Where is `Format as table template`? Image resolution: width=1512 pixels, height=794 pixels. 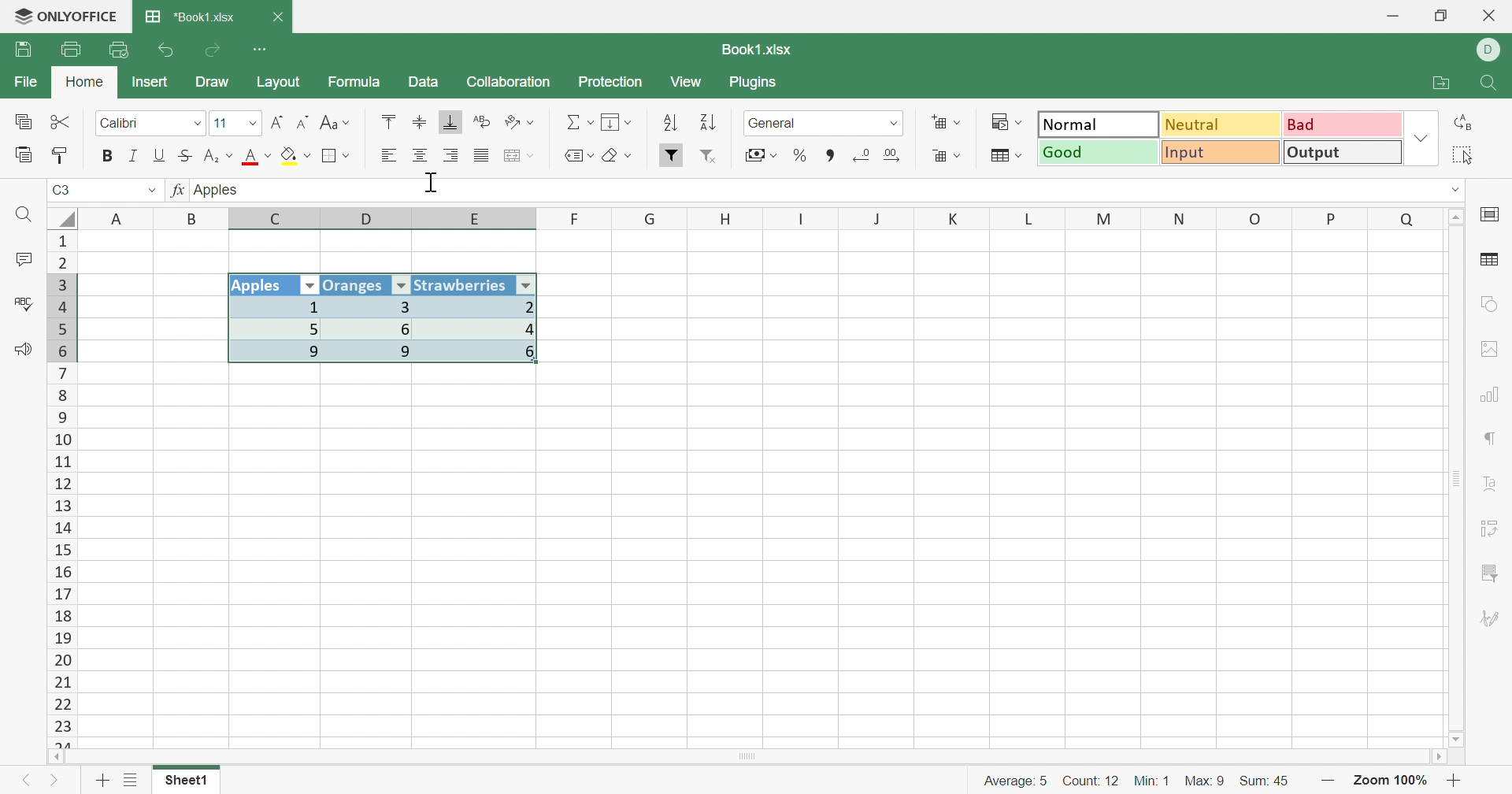
Format as table template is located at coordinates (1005, 156).